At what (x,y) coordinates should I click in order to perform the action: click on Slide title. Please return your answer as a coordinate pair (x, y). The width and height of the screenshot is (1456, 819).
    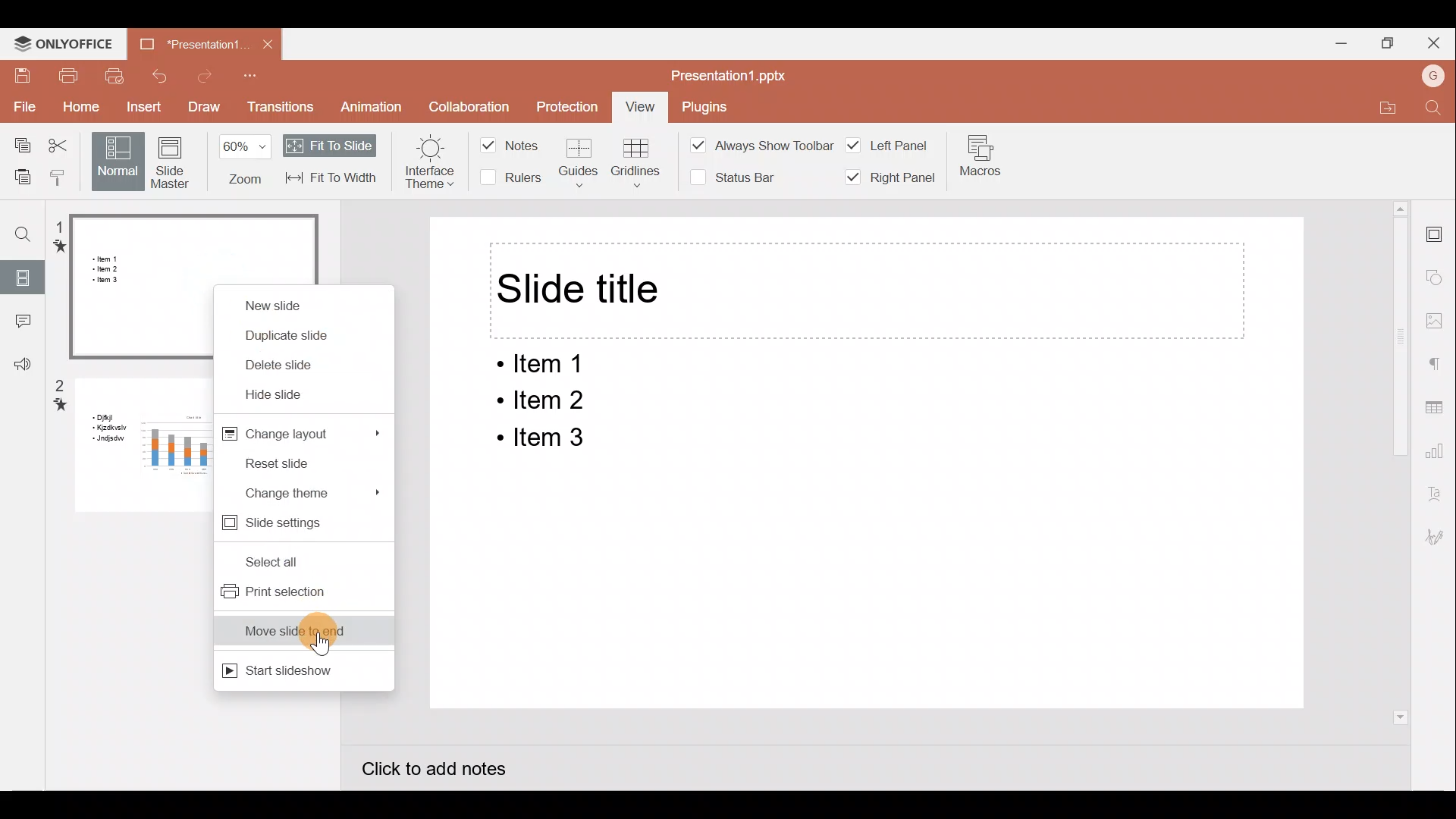
    Looking at the image, I should click on (582, 290).